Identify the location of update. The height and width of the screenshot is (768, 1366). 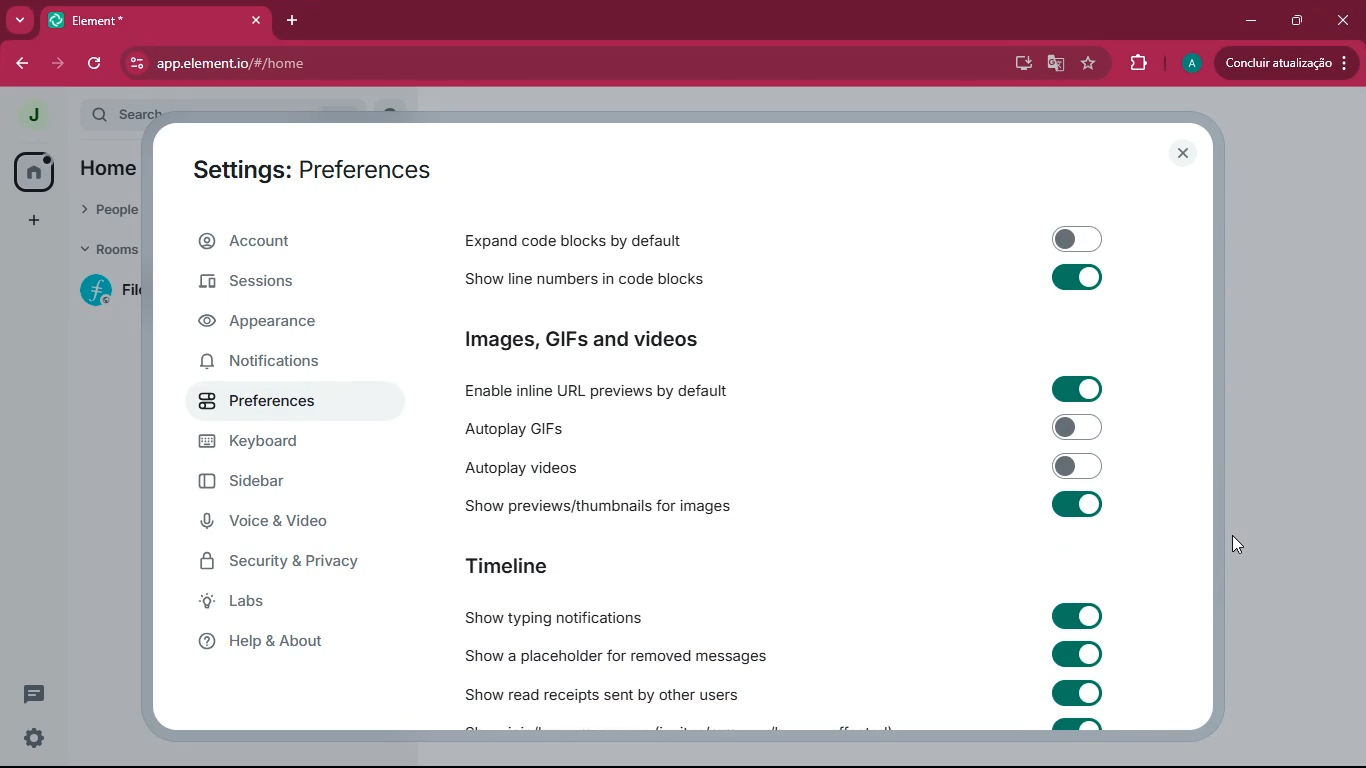
(1286, 61).